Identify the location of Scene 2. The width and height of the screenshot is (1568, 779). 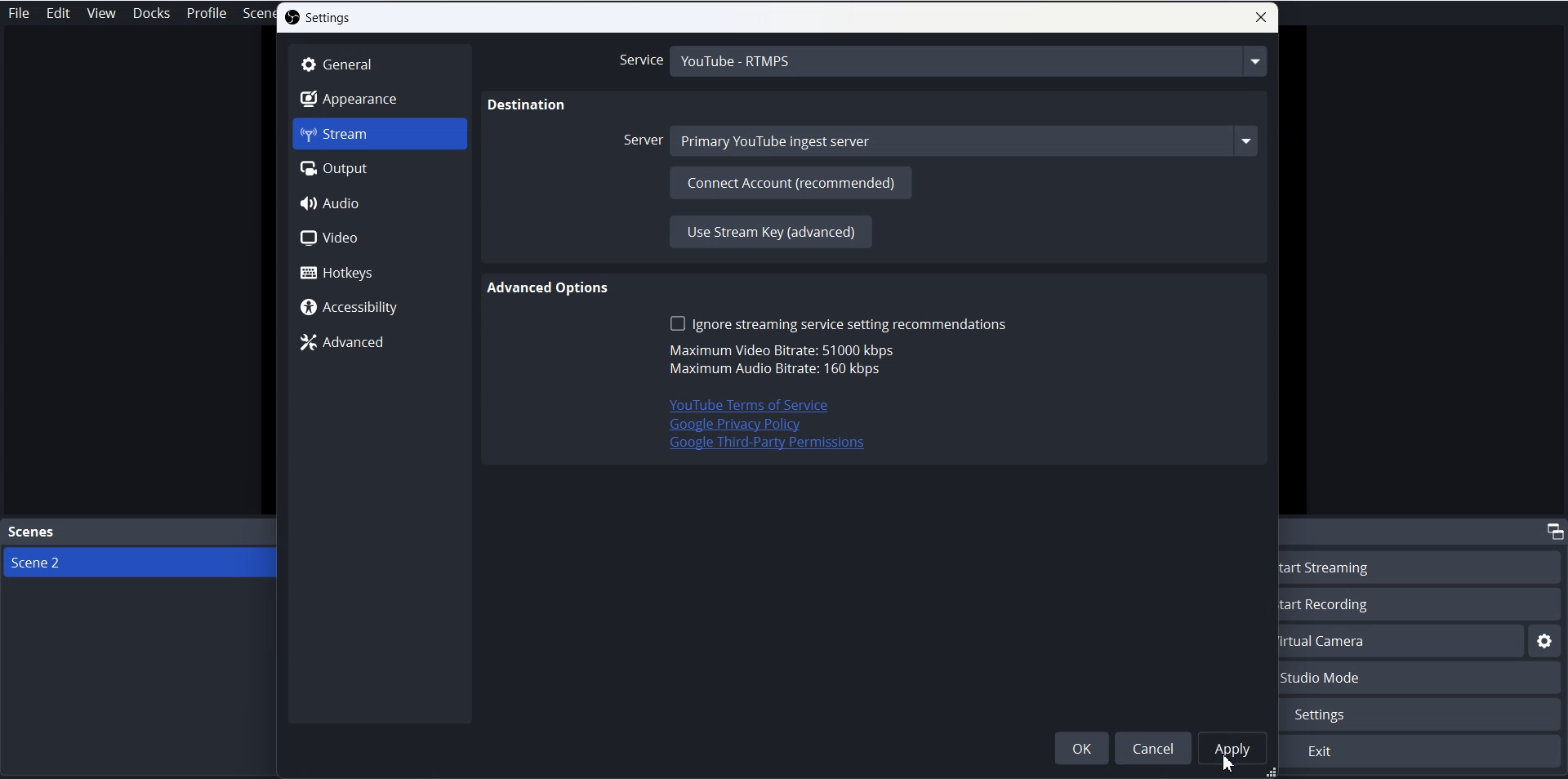
(139, 562).